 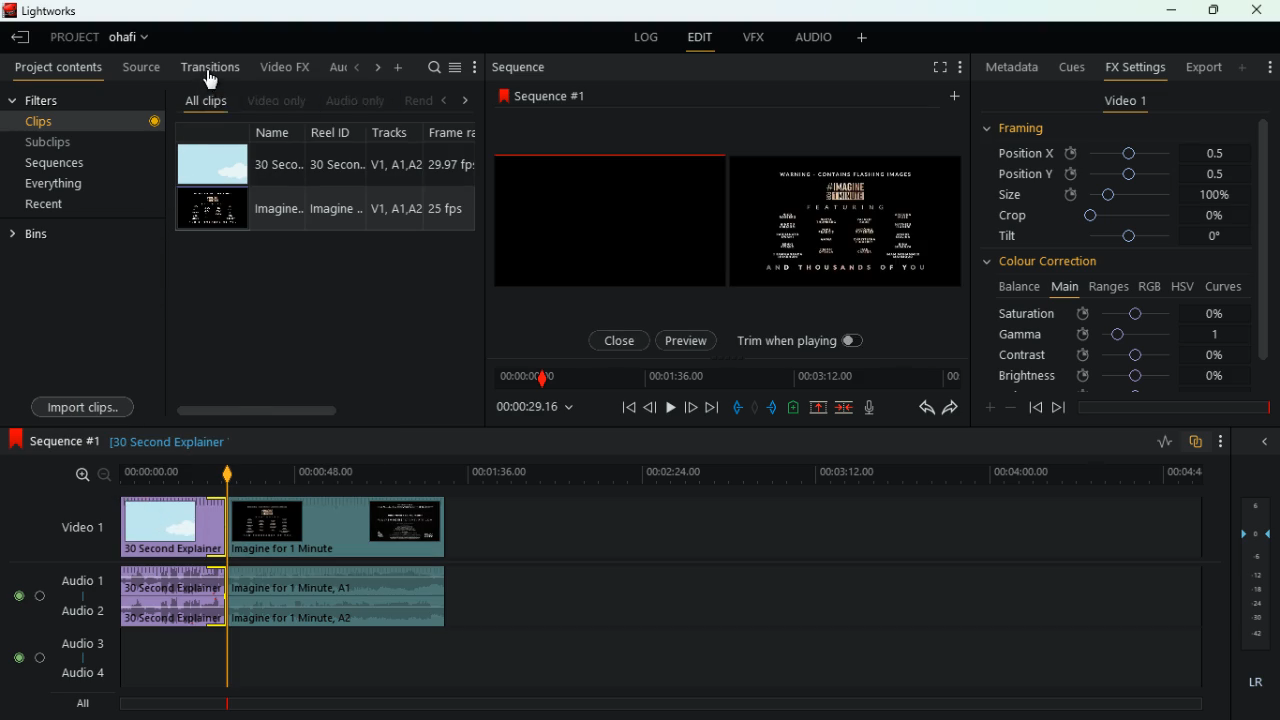 What do you see at coordinates (1226, 285) in the screenshot?
I see `curves` at bounding box center [1226, 285].